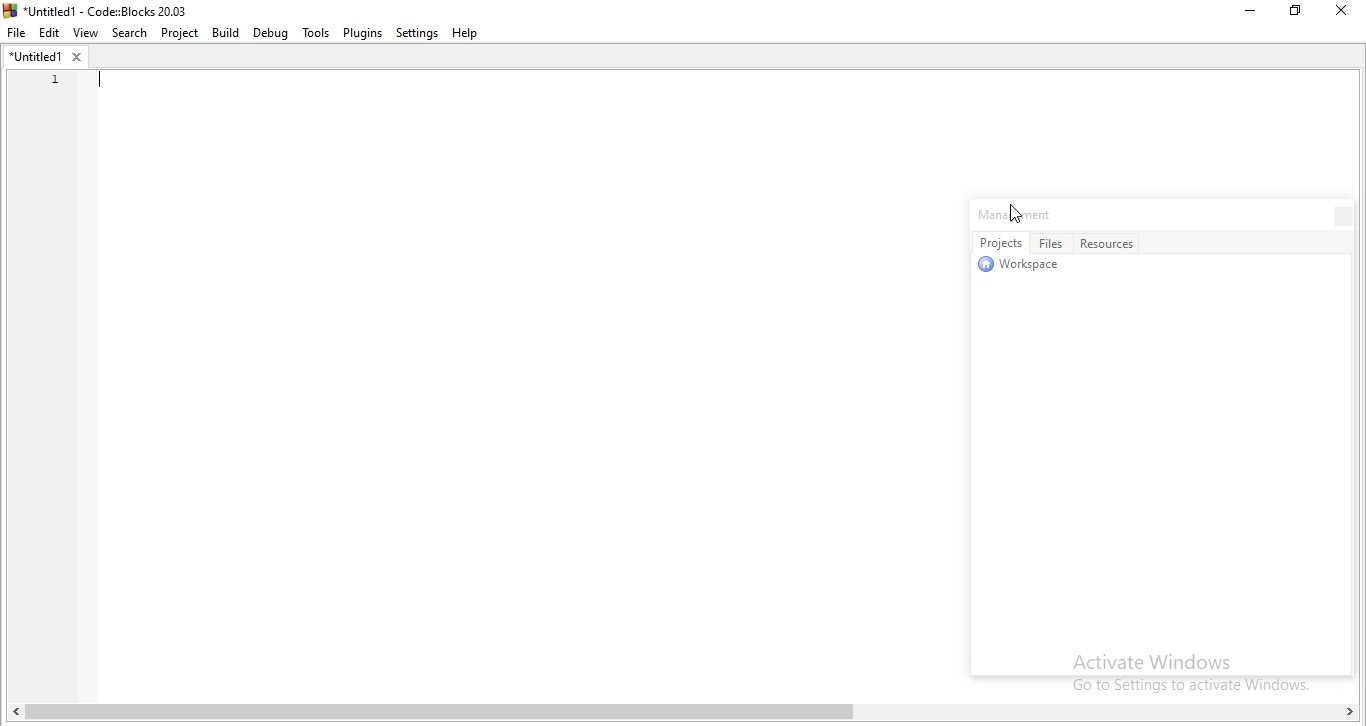  What do you see at coordinates (362, 34) in the screenshot?
I see `Plugins ` at bounding box center [362, 34].